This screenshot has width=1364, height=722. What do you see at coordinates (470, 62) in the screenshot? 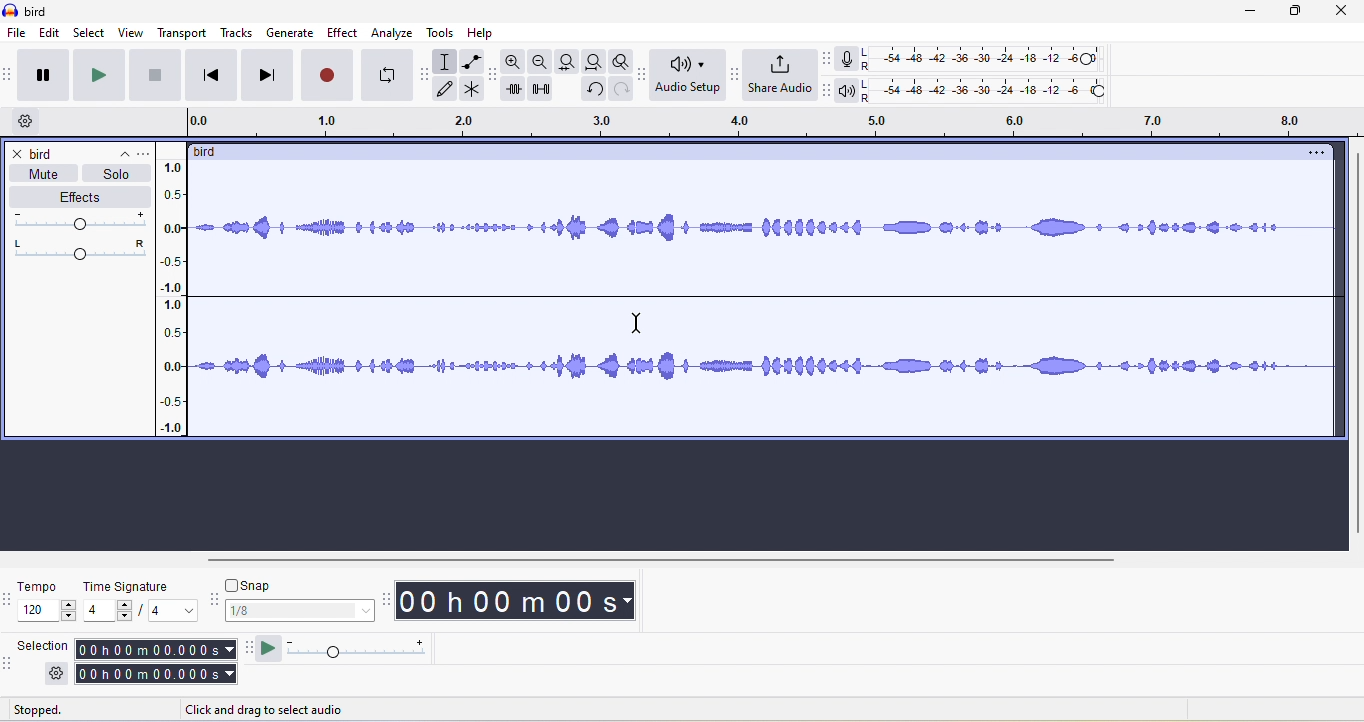
I see `envelope tool` at bounding box center [470, 62].